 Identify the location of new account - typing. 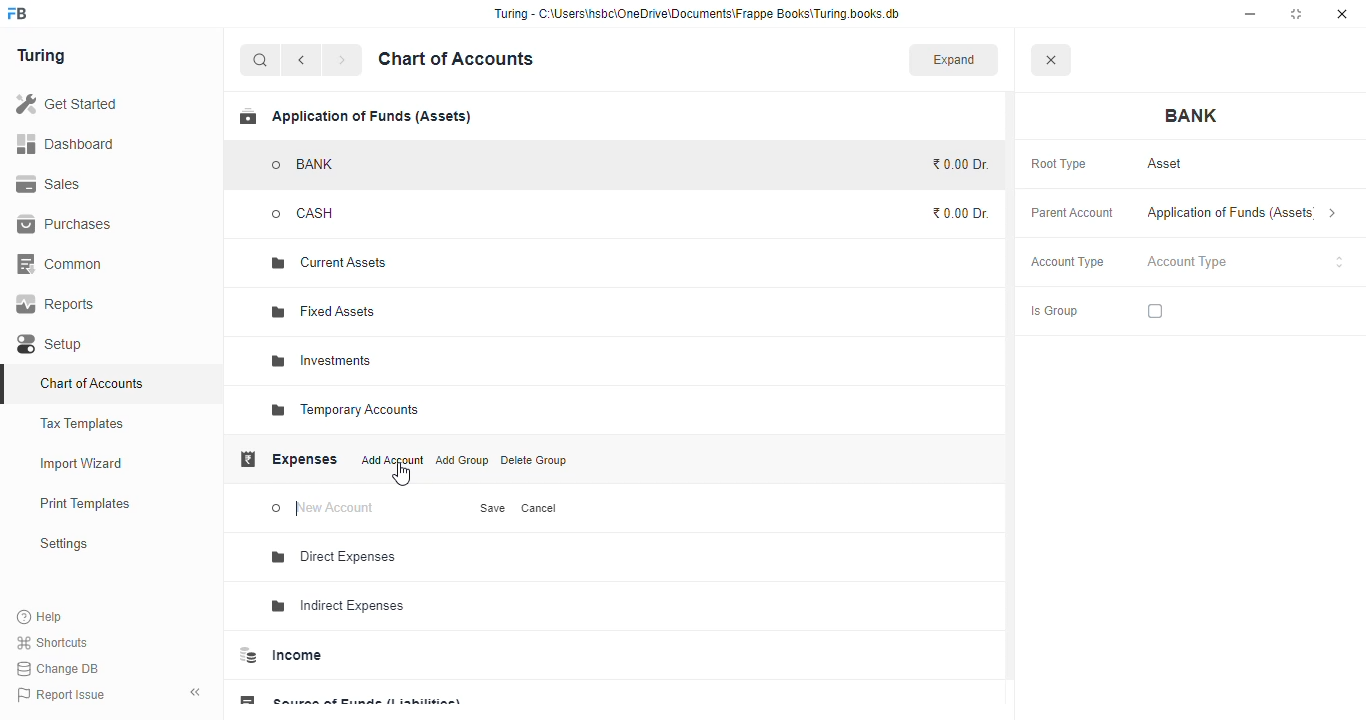
(326, 509).